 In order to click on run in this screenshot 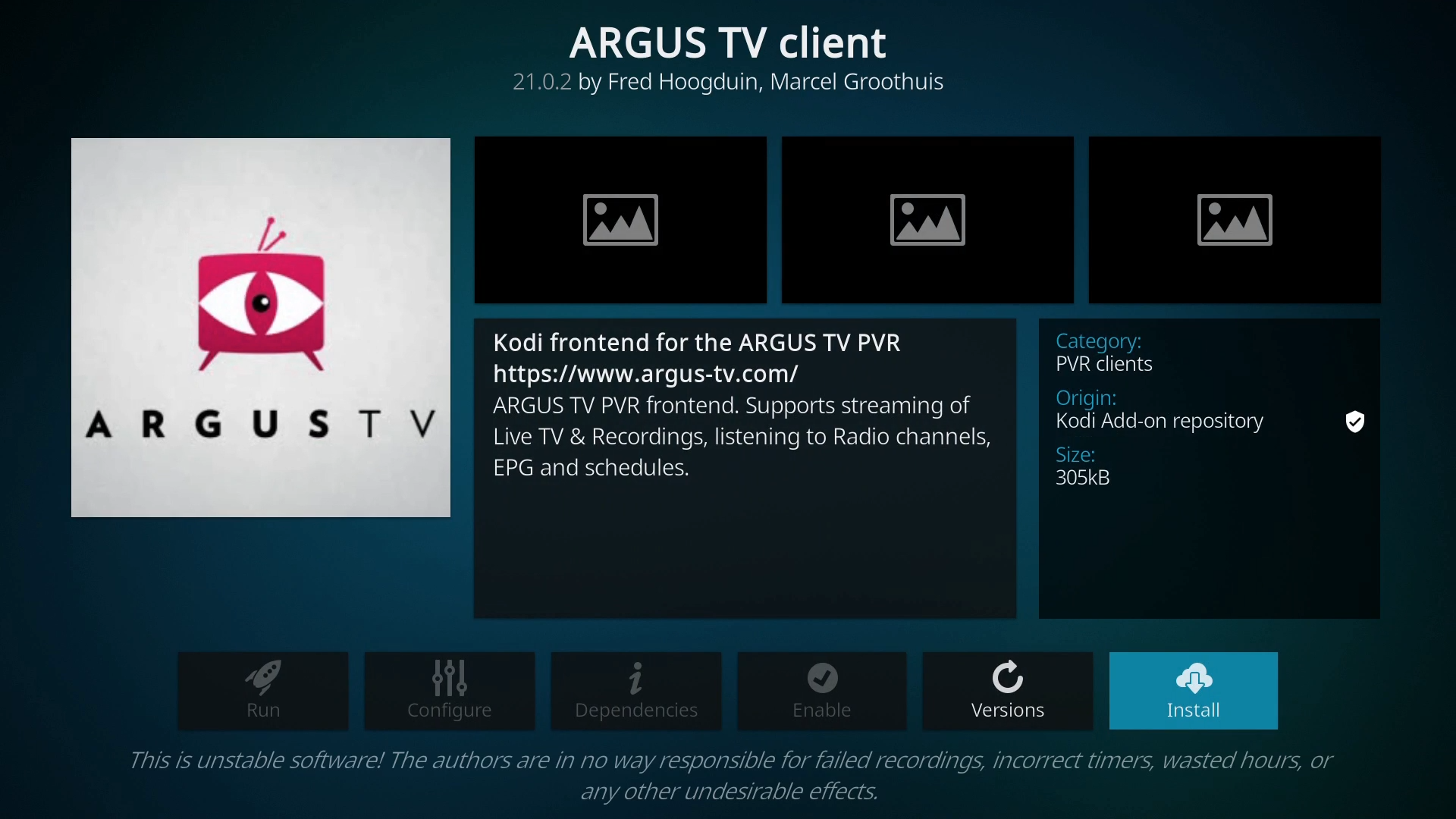, I will do `click(256, 692)`.